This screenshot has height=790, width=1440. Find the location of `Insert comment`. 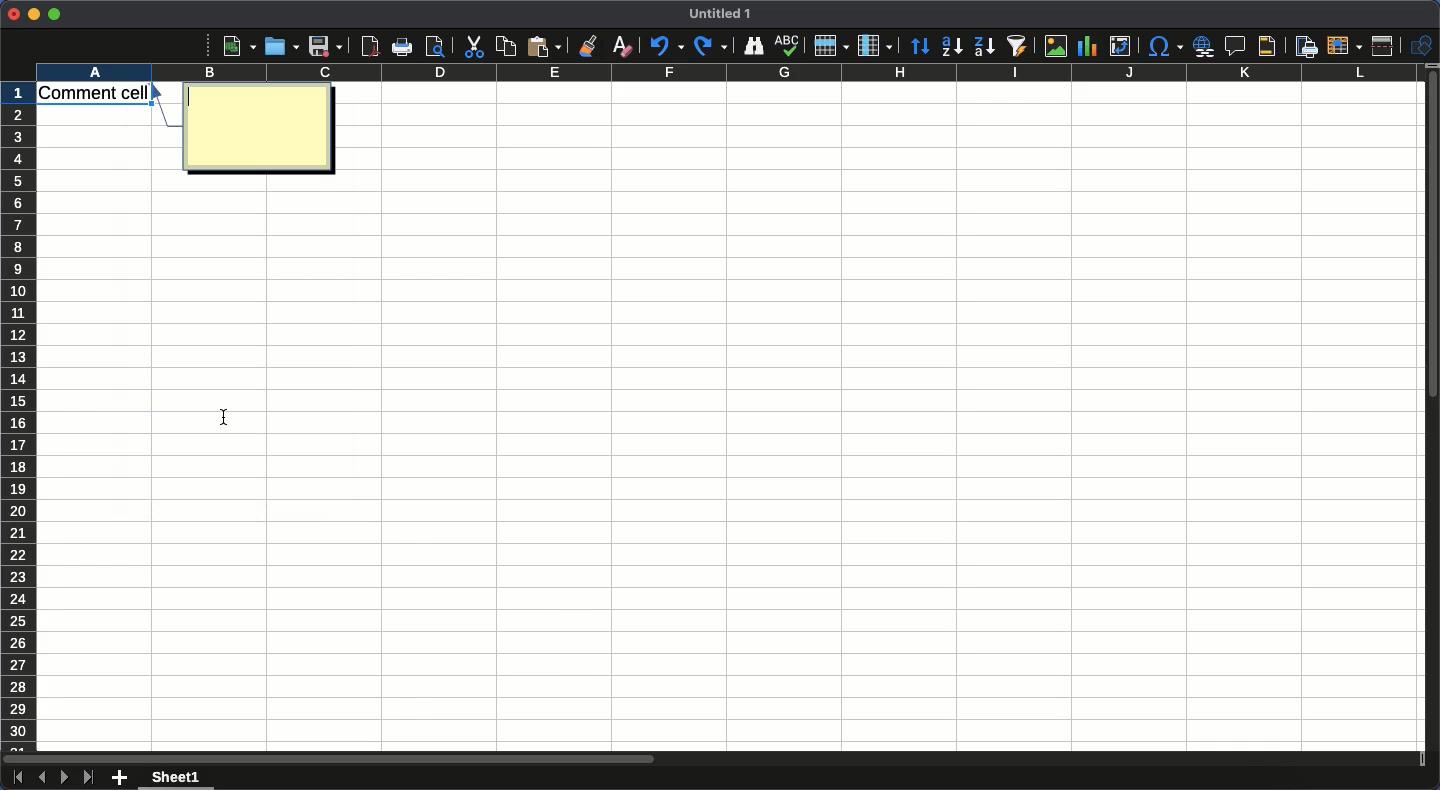

Insert comment is located at coordinates (1234, 44).